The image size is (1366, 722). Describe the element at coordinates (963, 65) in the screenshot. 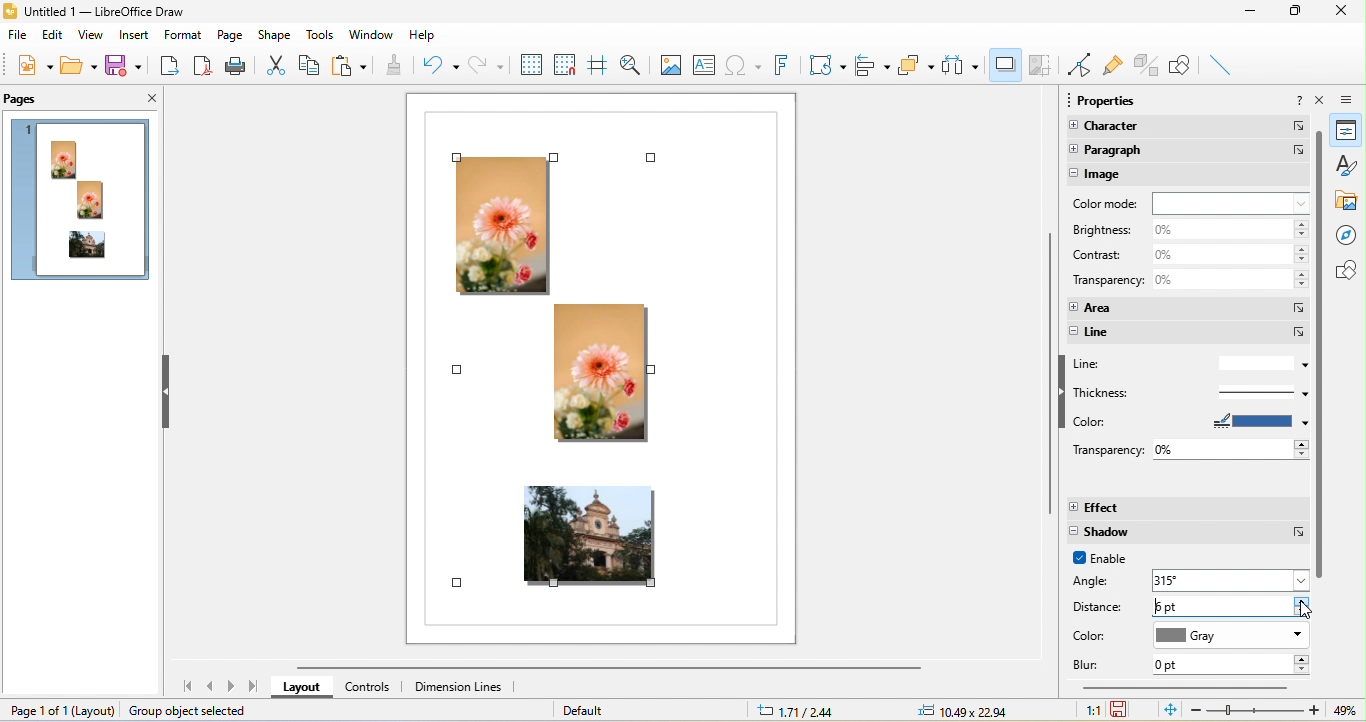

I see `select at least three object to distribute` at that location.